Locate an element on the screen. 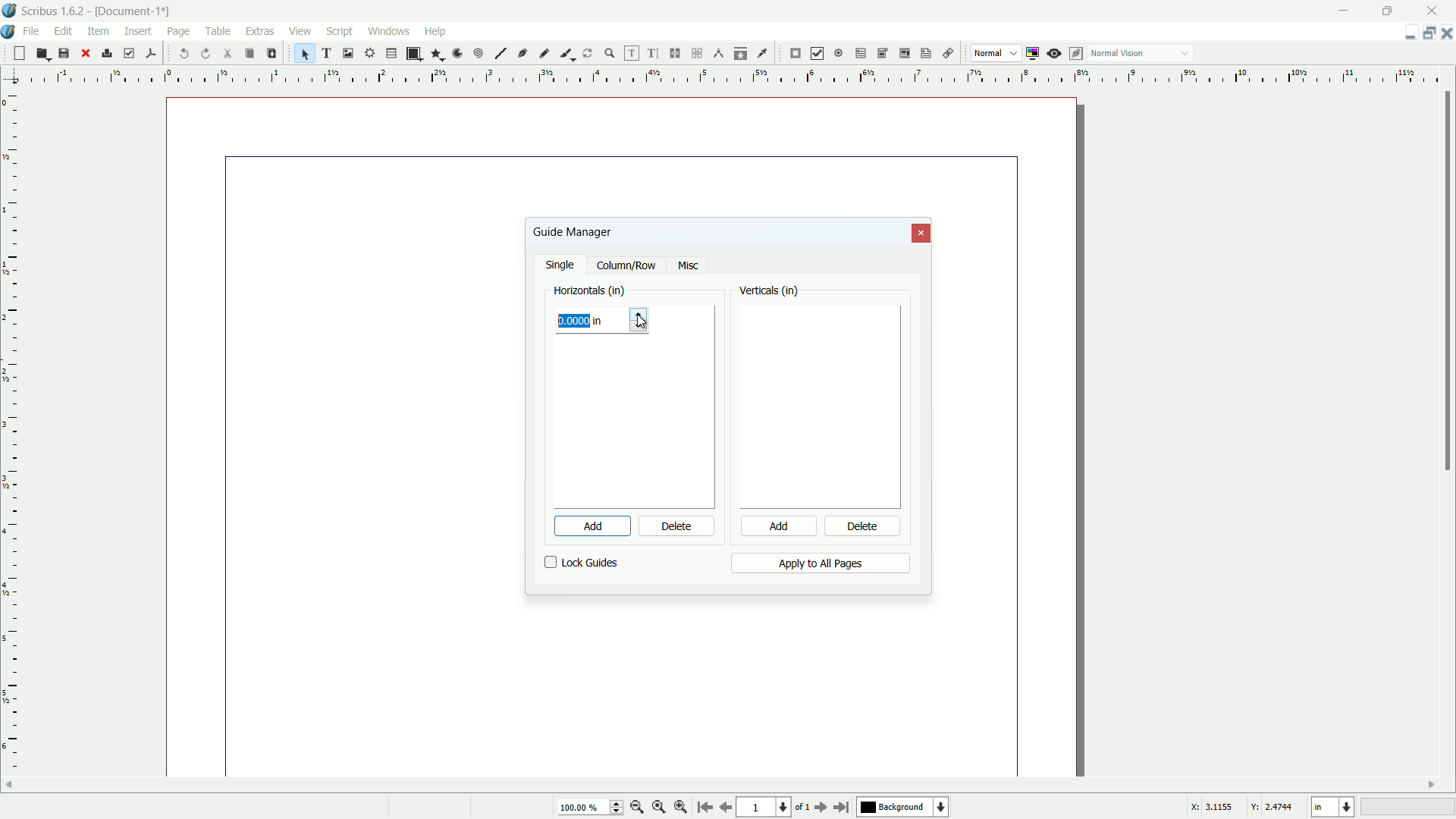  pdf text field is located at coordinates (858, 54).